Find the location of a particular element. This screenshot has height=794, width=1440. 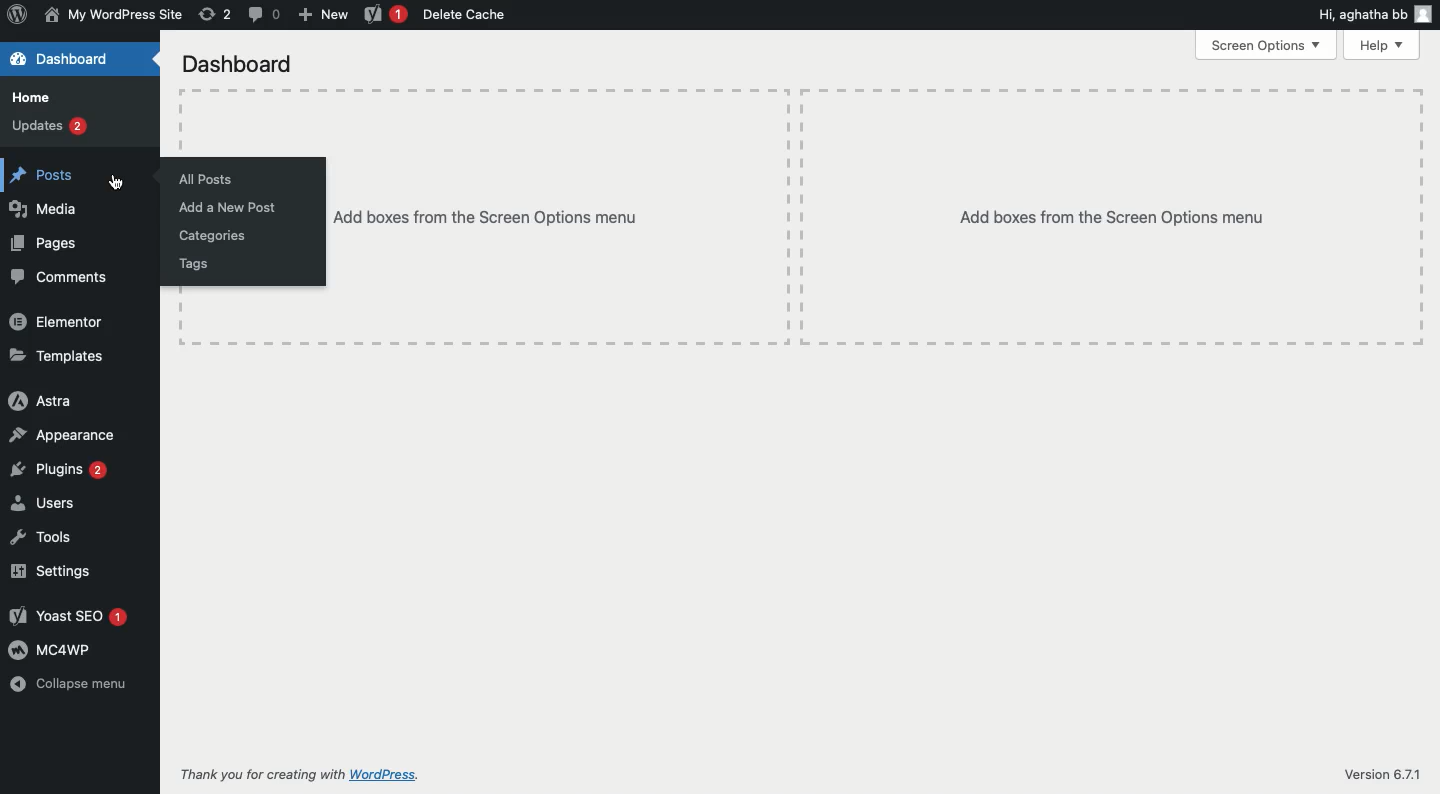

Name is located at coordinates (113, 15).